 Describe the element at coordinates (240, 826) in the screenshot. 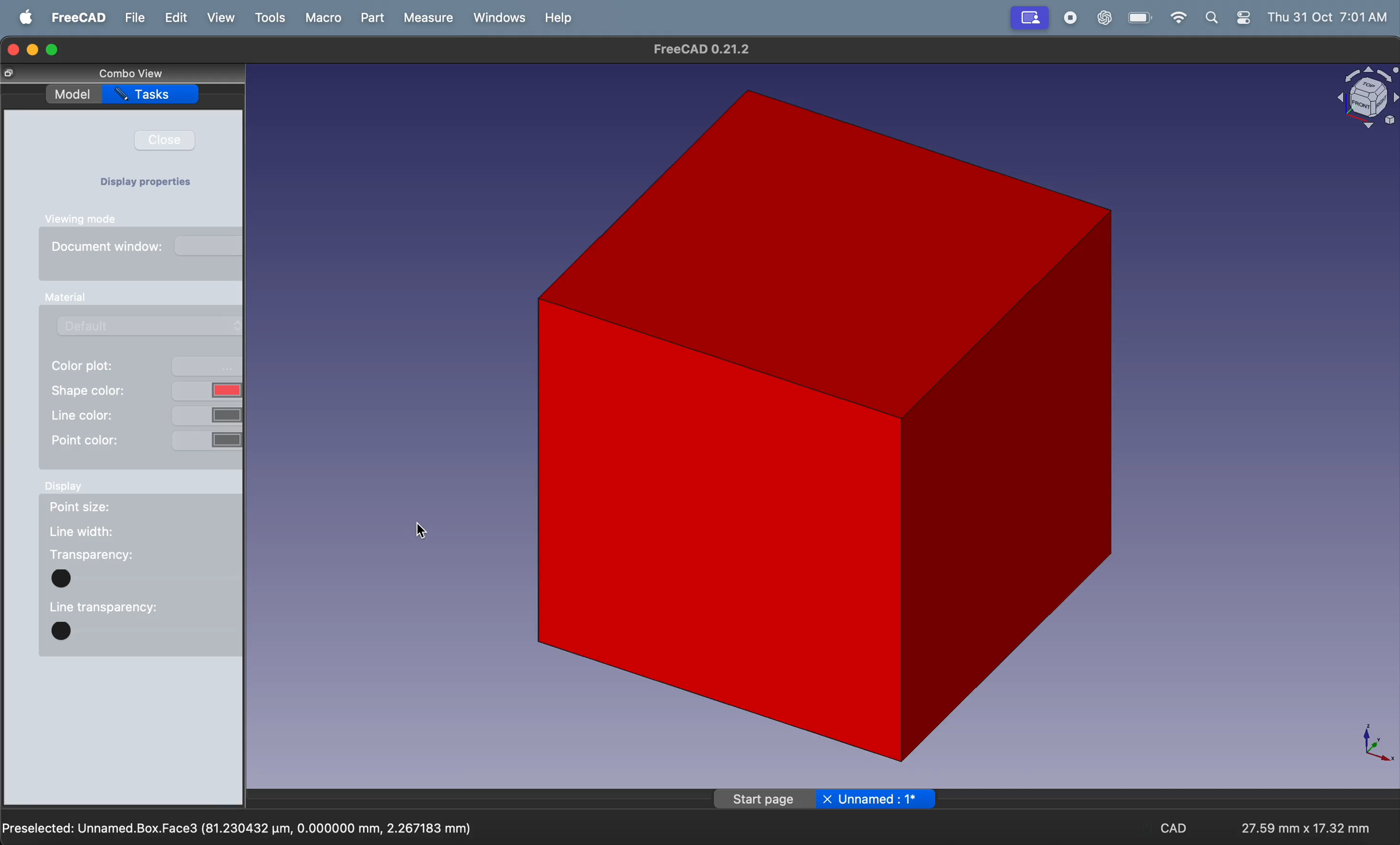

I see `preselected unamed` at that location.